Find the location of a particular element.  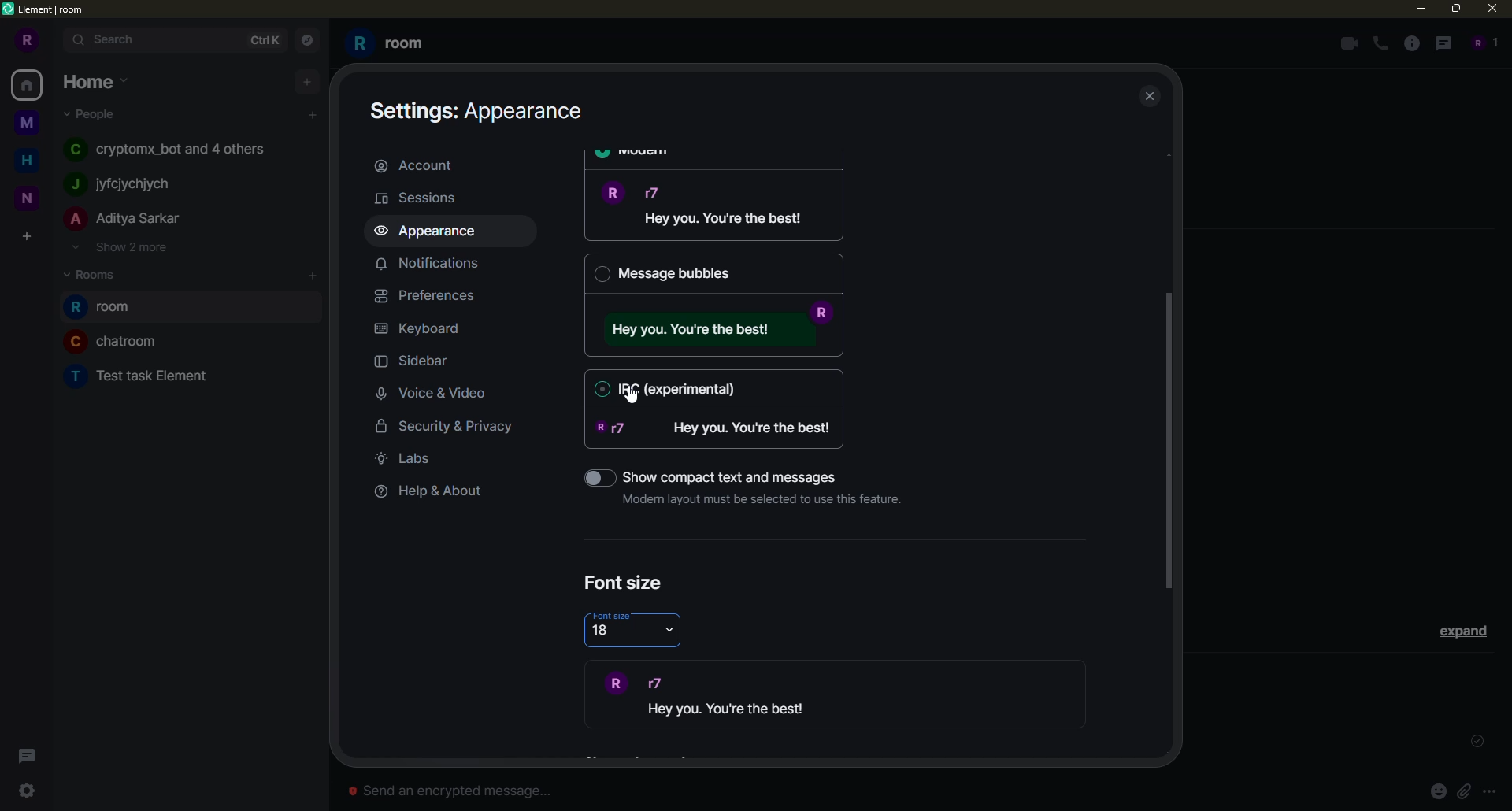

Modern layout must be selected to use this feature. is located at coordinates (762, 500).